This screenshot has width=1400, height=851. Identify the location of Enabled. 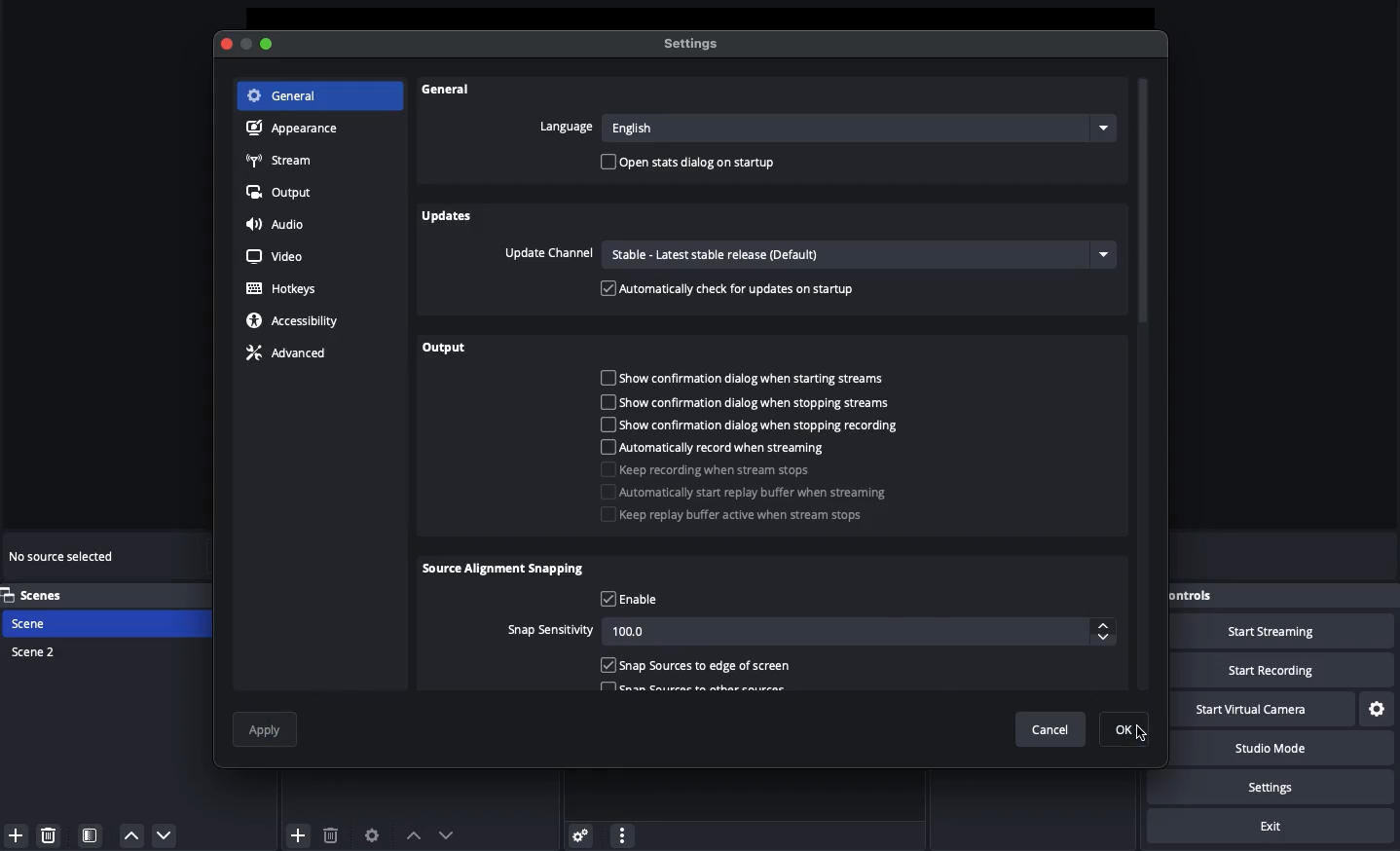
(697, 665).